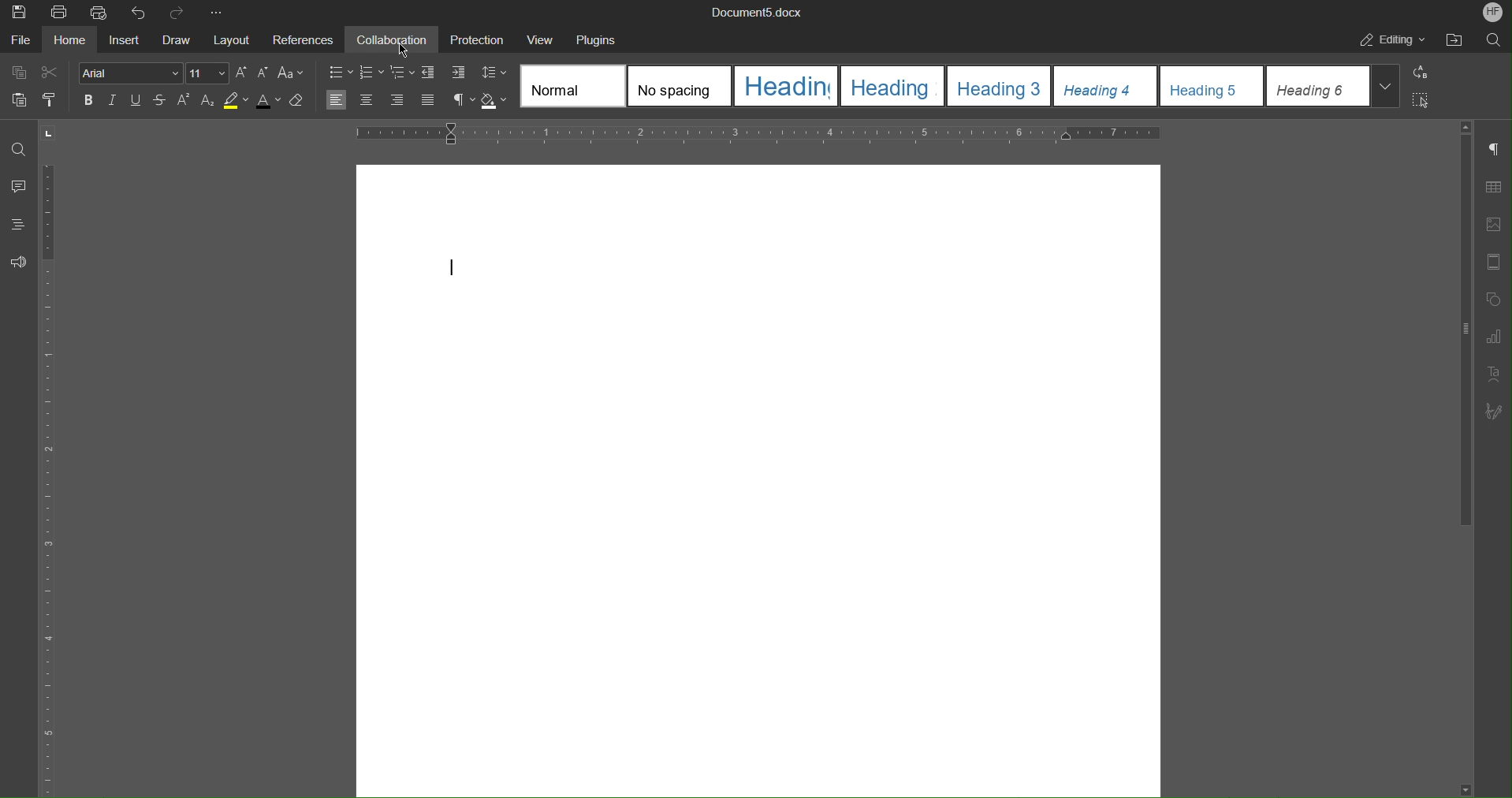 The width and height of the screenshot is (1512, 798). Describe the element at coordinates (758, 132) in the screenshot. I see `Horizontal Ruler` at that location.